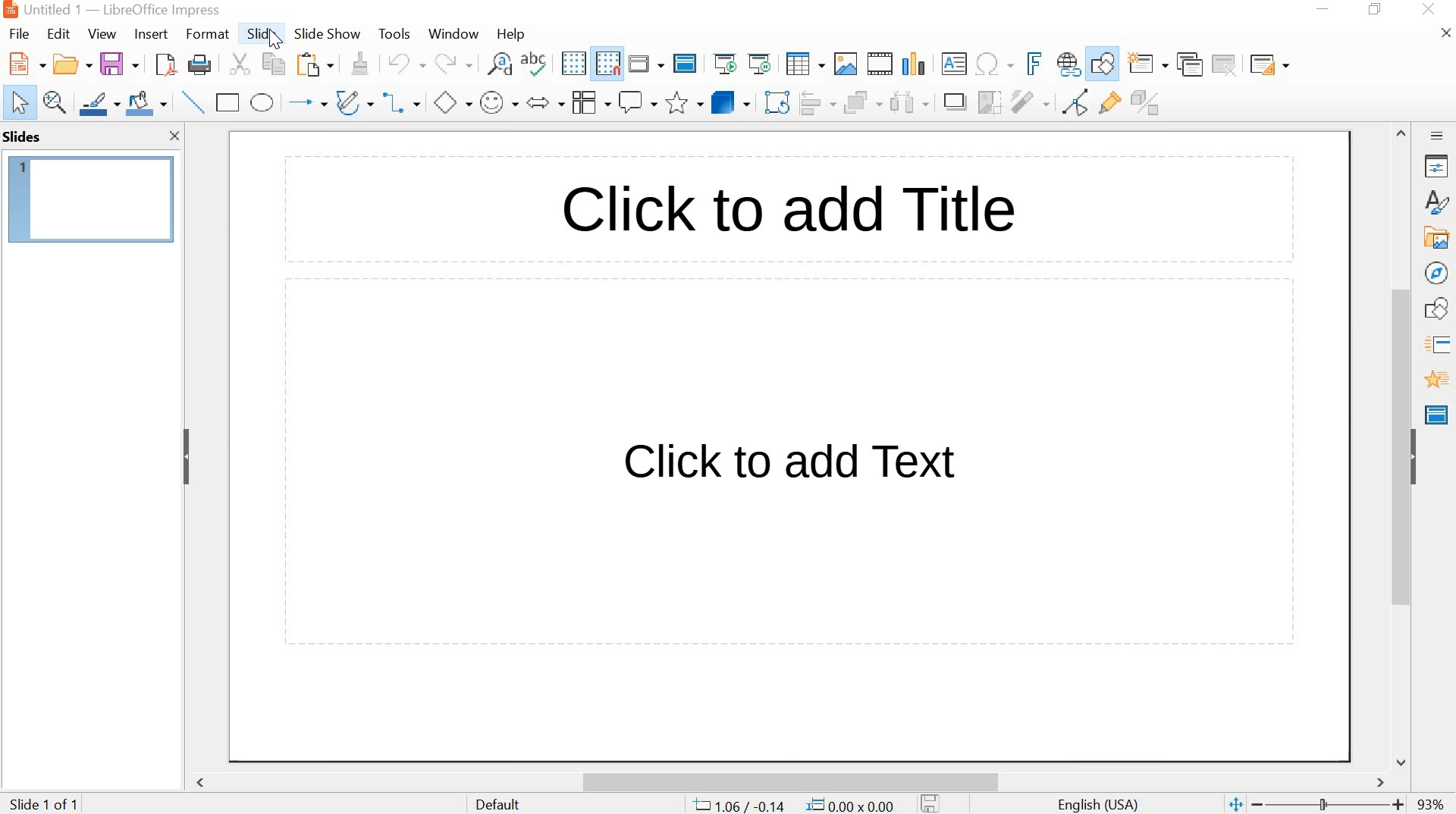  What do you see at coordinates (1416, 455) in the screenshot?
I see `HIDE` at bounding box center [1416, 455].